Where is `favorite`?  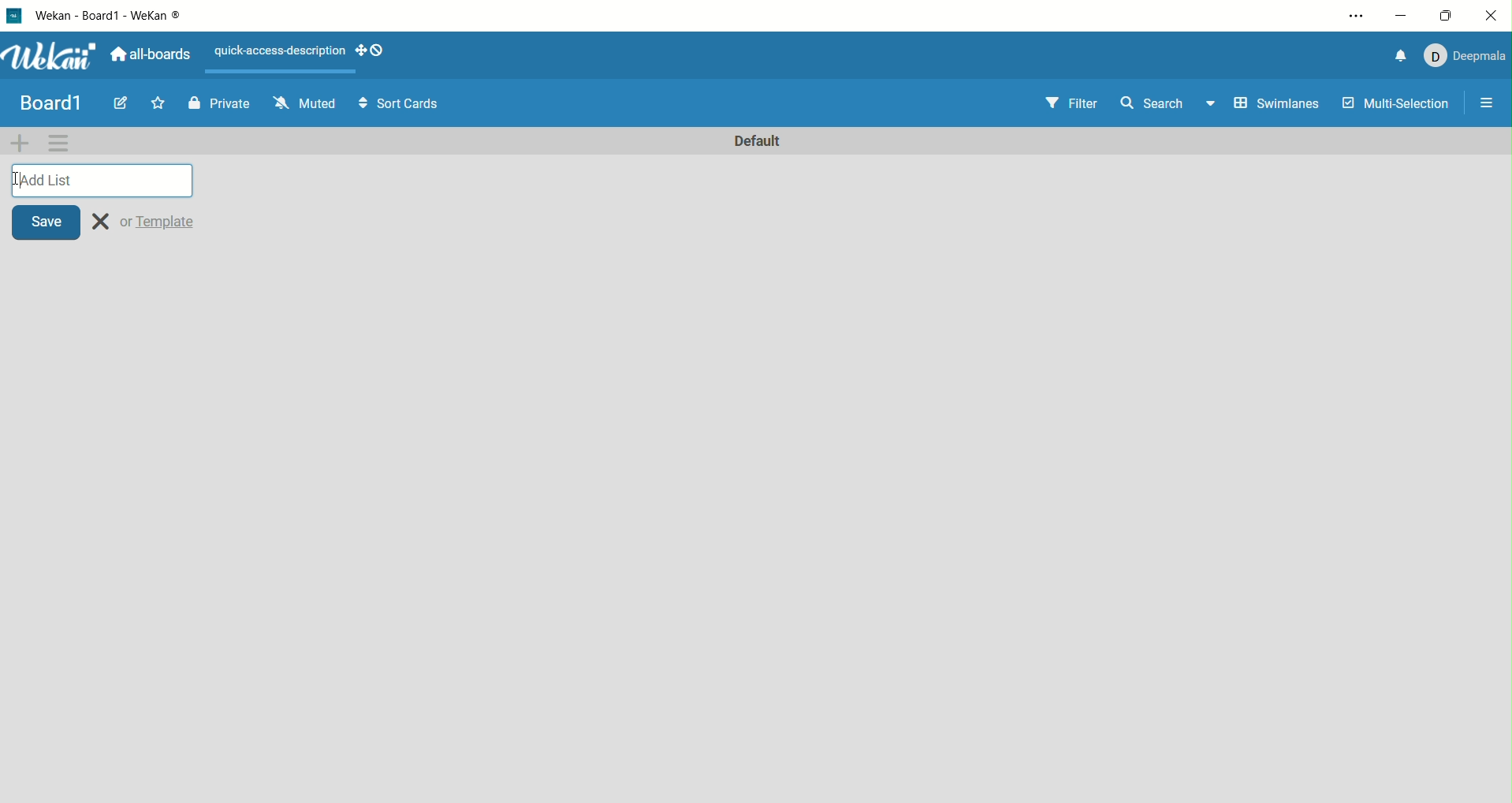
favorite is located at coordinates (158, 102).